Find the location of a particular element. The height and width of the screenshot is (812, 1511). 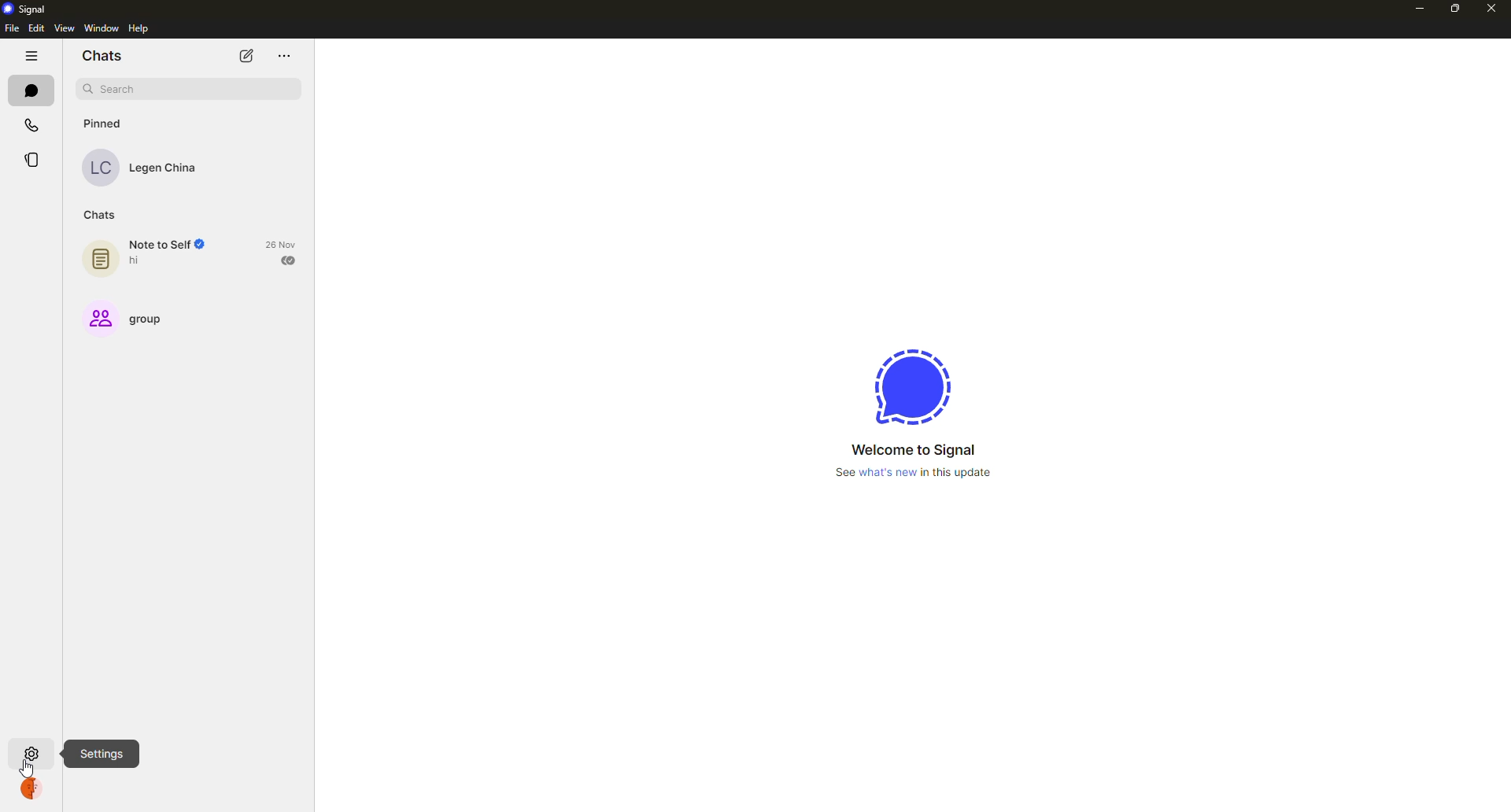

settings is located at coordinates (35, 752).